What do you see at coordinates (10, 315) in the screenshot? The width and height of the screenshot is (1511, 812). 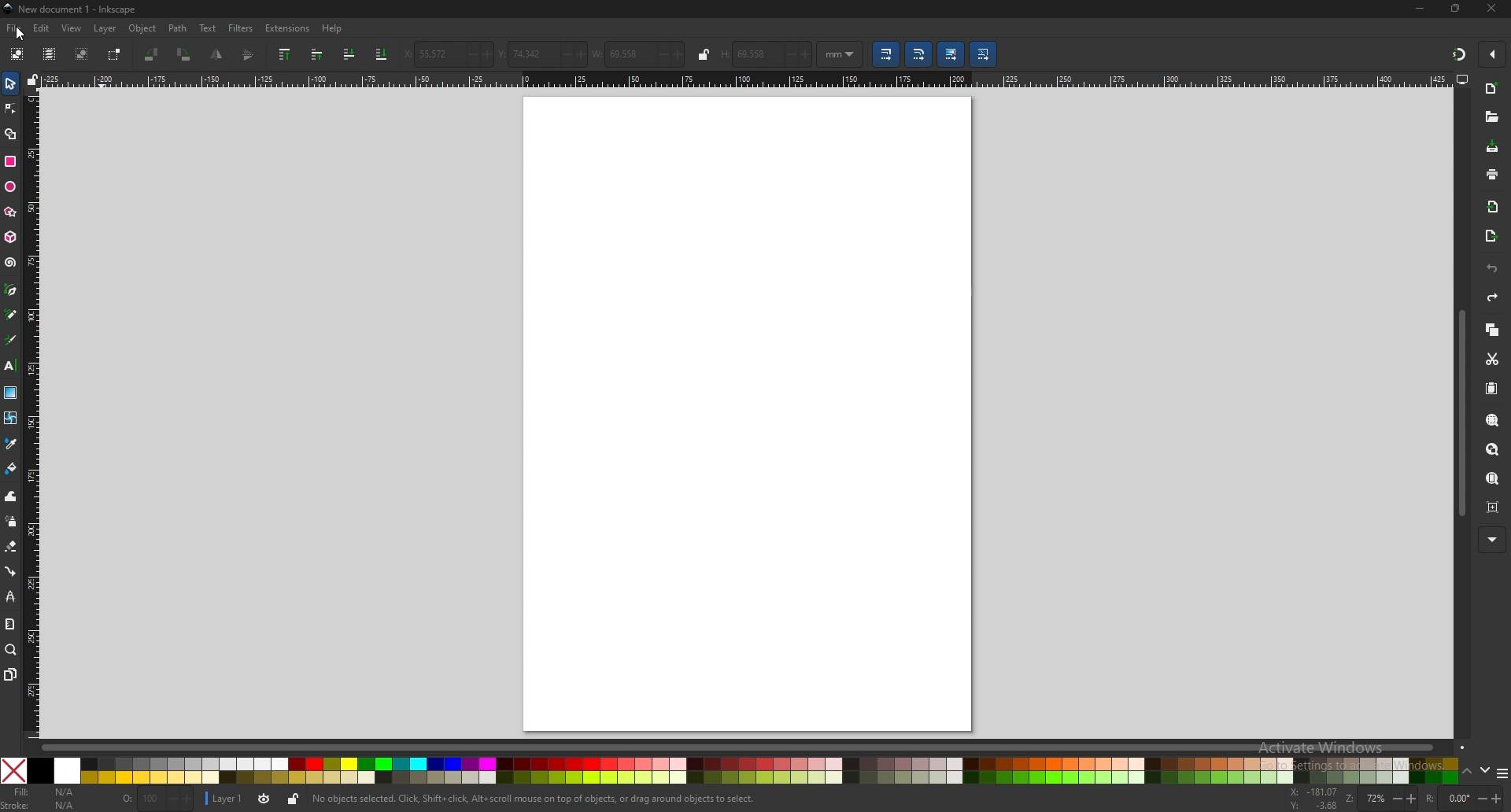 I see `pencil` at bounding box center [10, 315].